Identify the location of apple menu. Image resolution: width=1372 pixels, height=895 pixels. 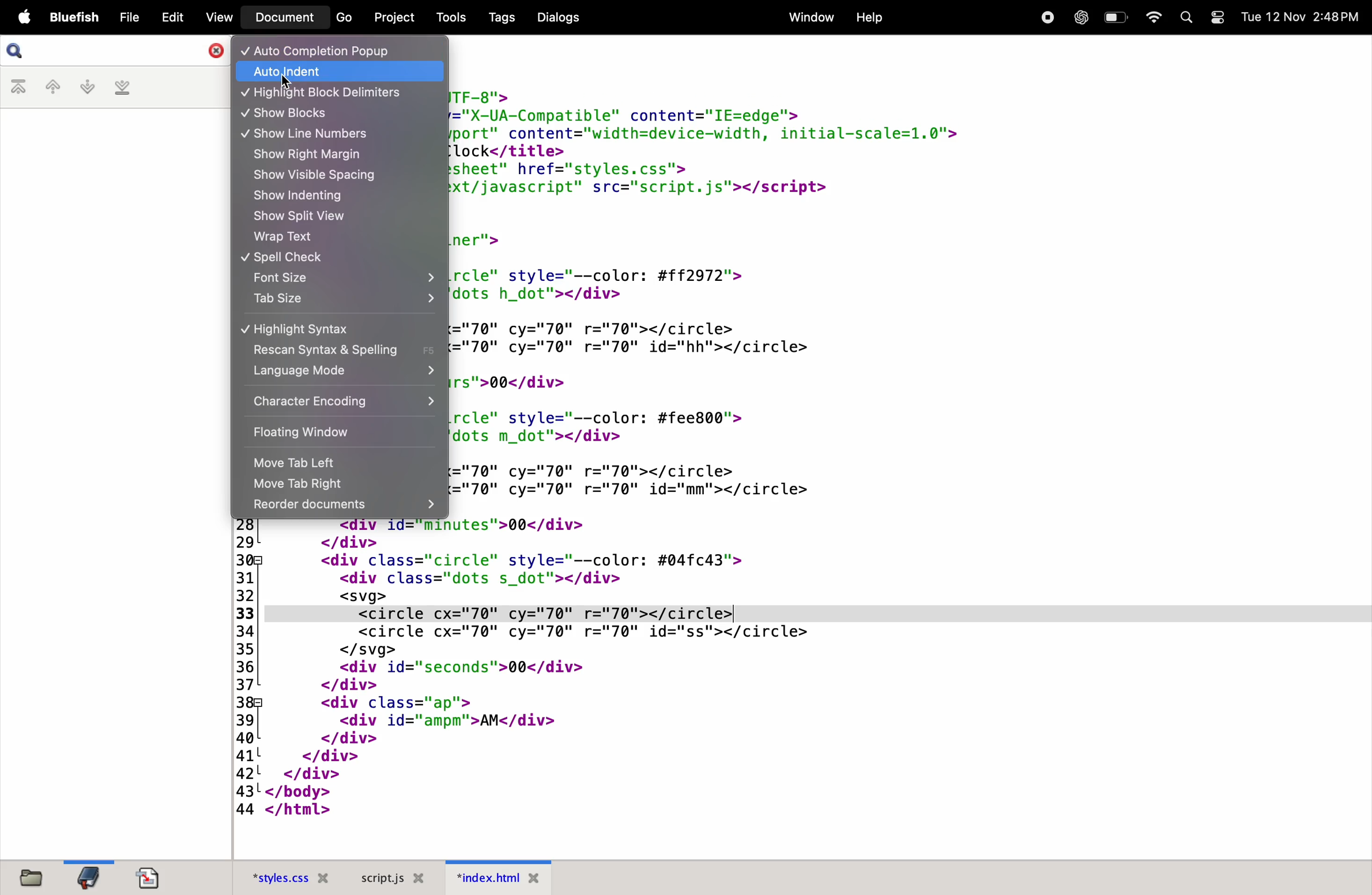
(17, 16).